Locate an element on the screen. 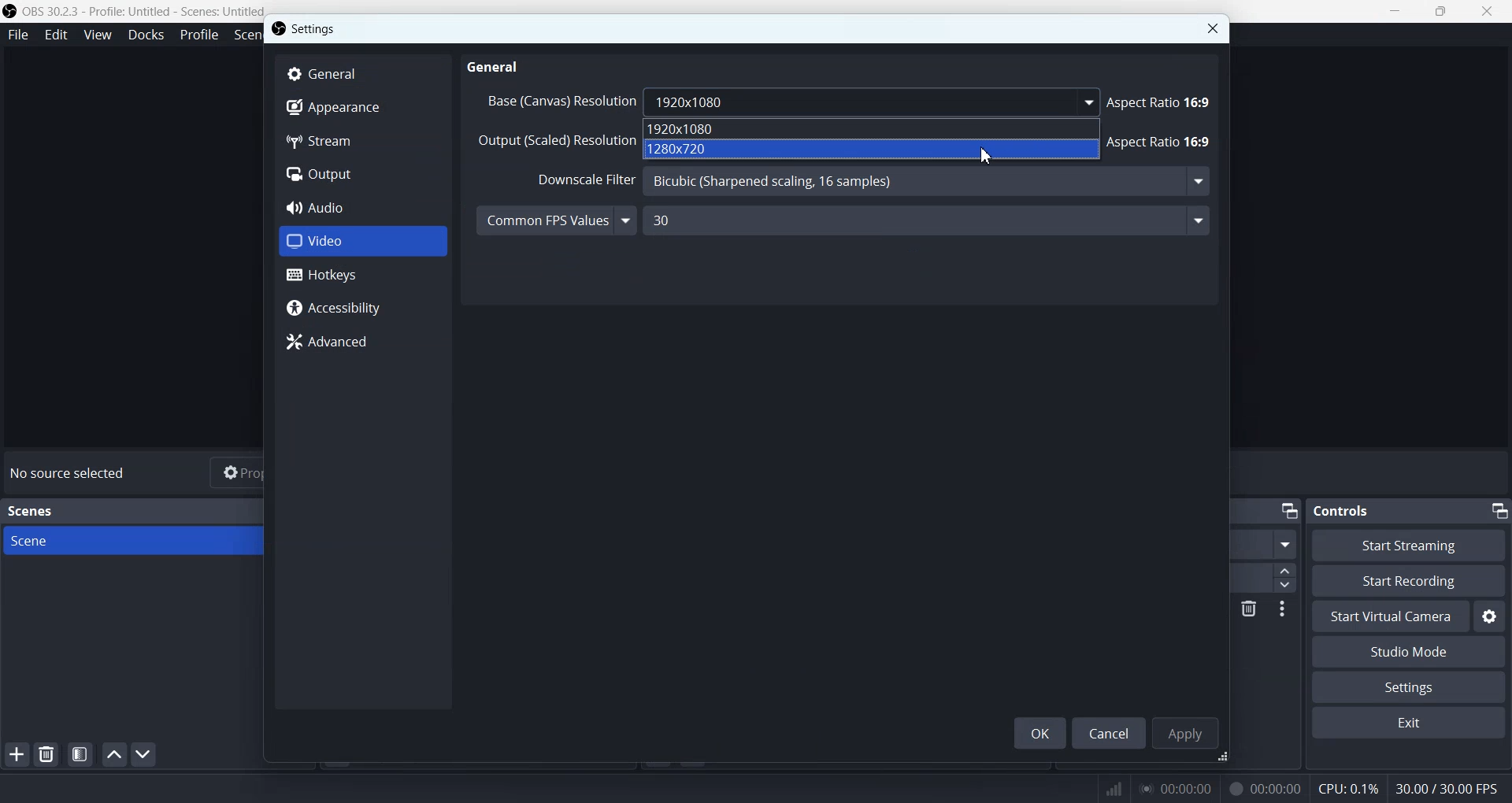 This screenshot has height=803, width=1512. Start Streaming is located at coordinates (1407, 545).